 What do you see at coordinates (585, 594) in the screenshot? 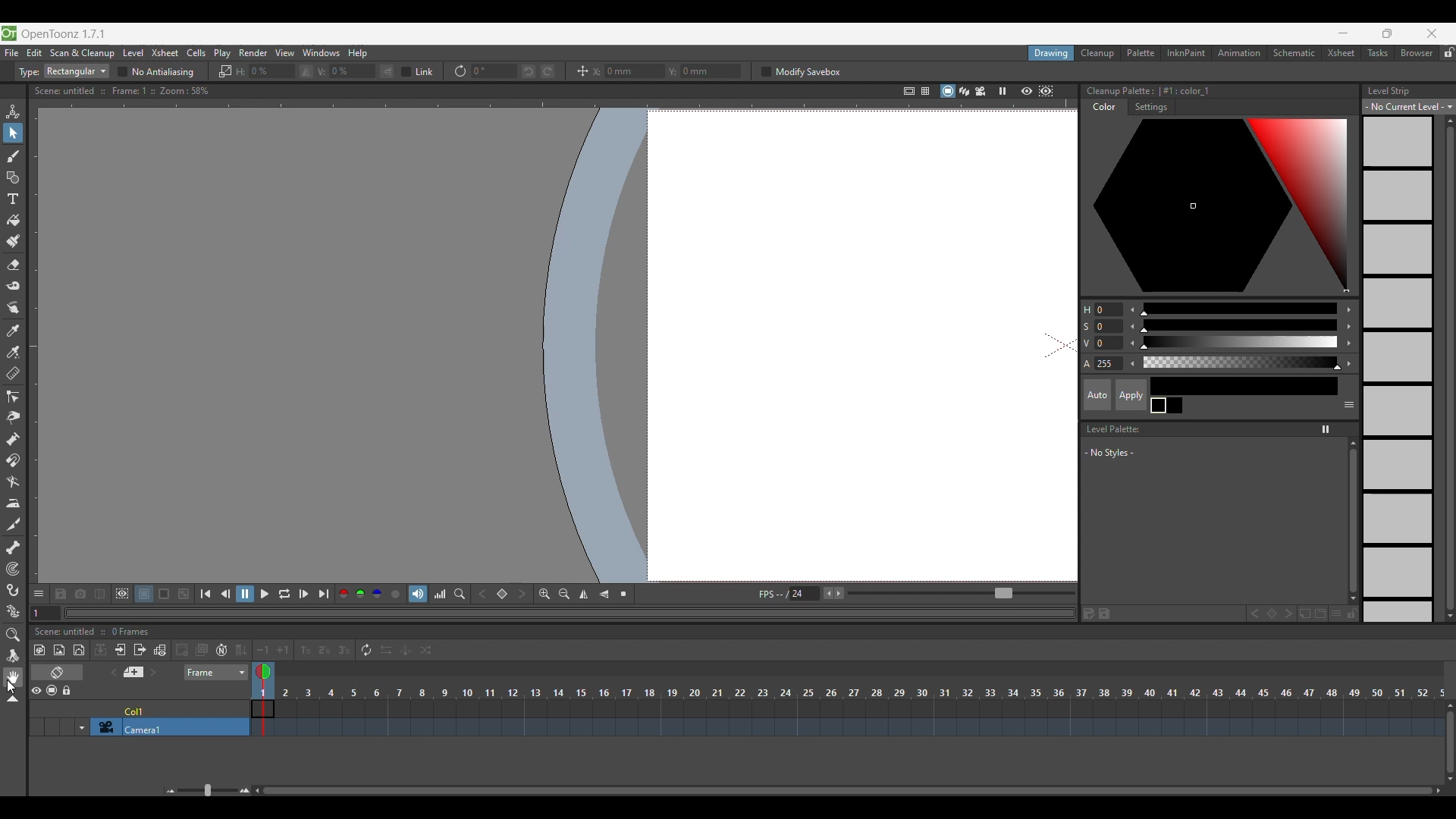
I see `Flip horizontally` at bounding box center [585, 594].